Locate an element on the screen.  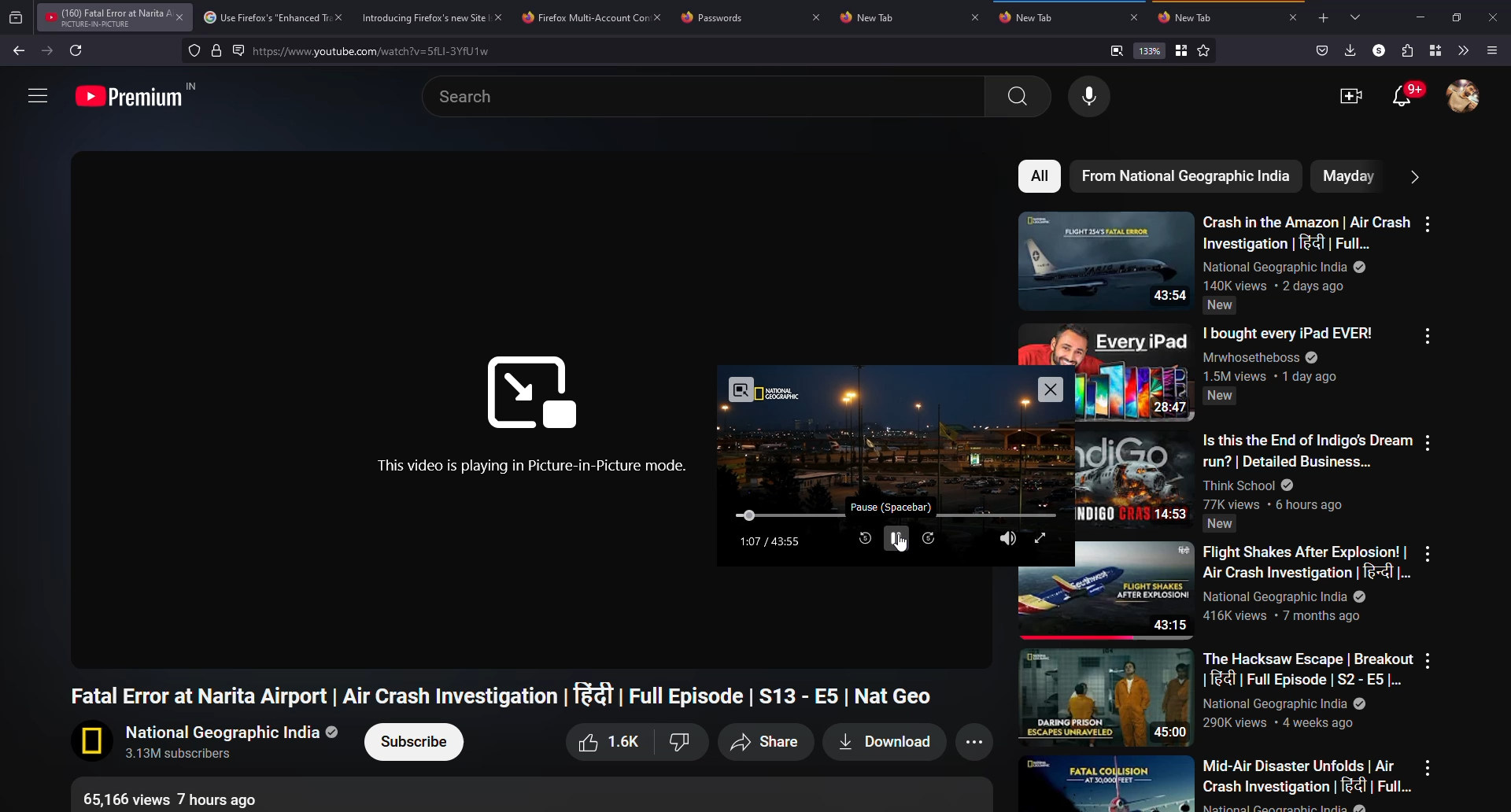
search is located at coordinates (1018, 96).